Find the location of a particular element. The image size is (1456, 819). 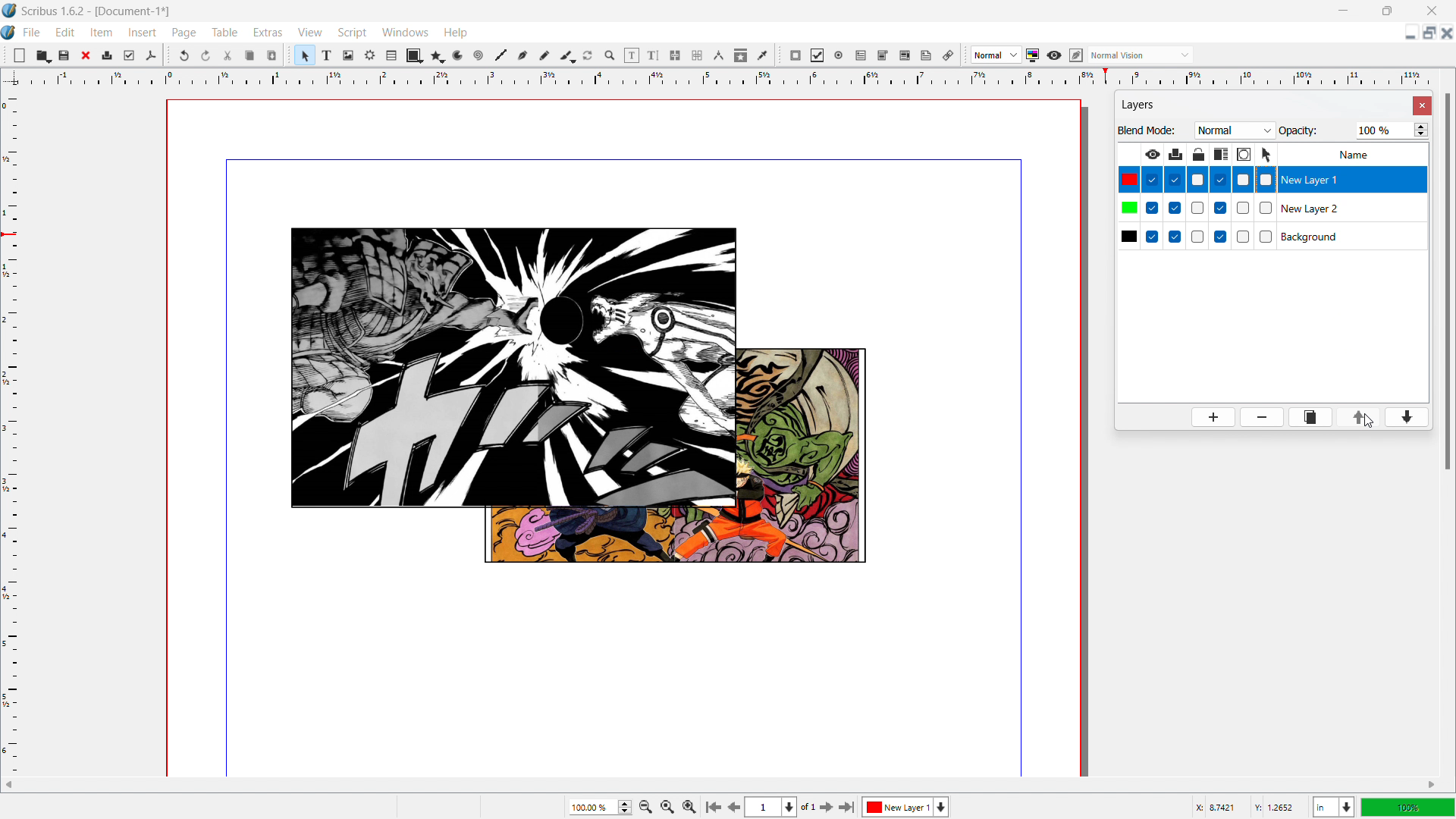

view is located at coordinates (309, 32).